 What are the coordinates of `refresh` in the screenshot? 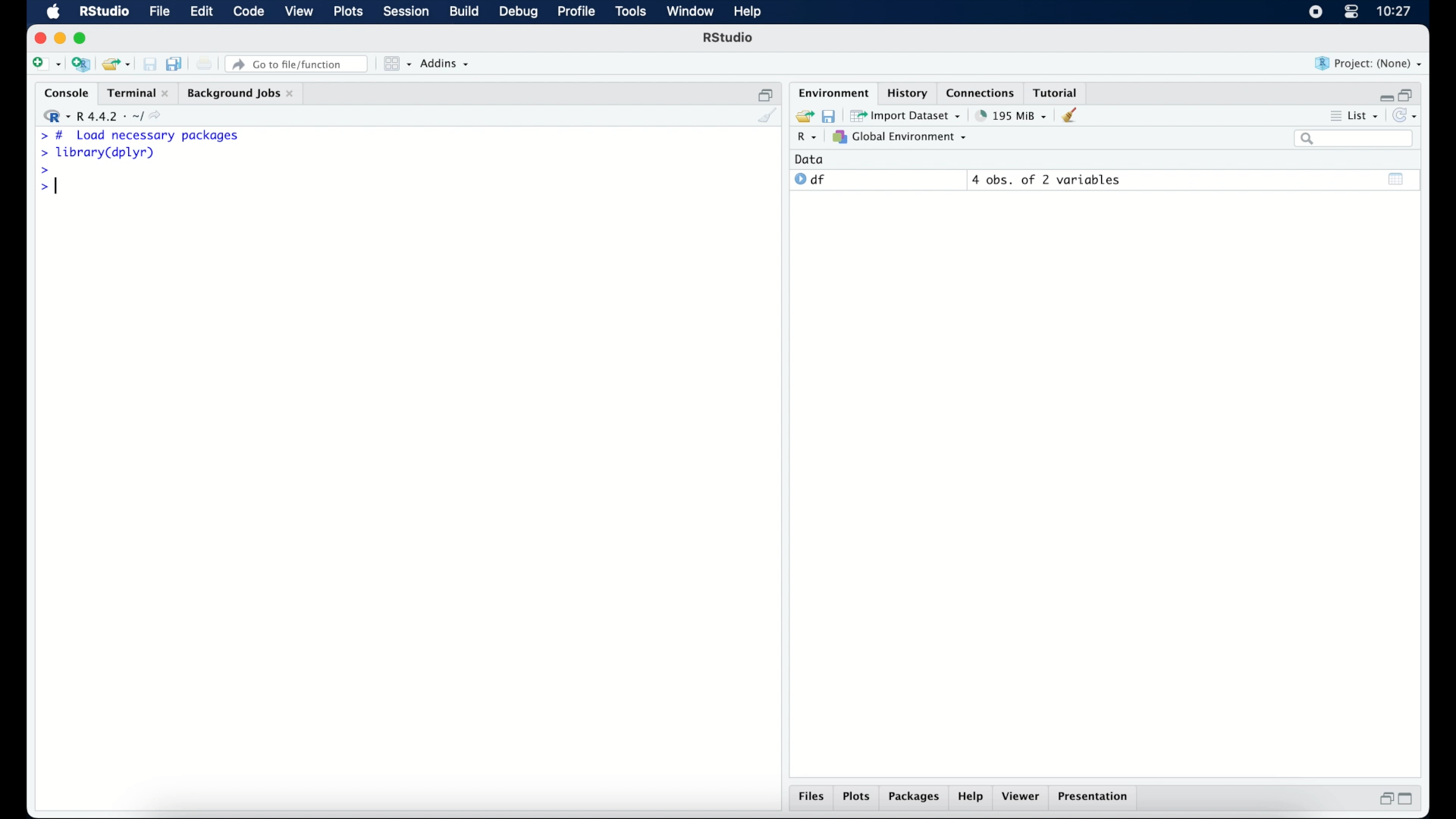 It's located at (1407, 117).